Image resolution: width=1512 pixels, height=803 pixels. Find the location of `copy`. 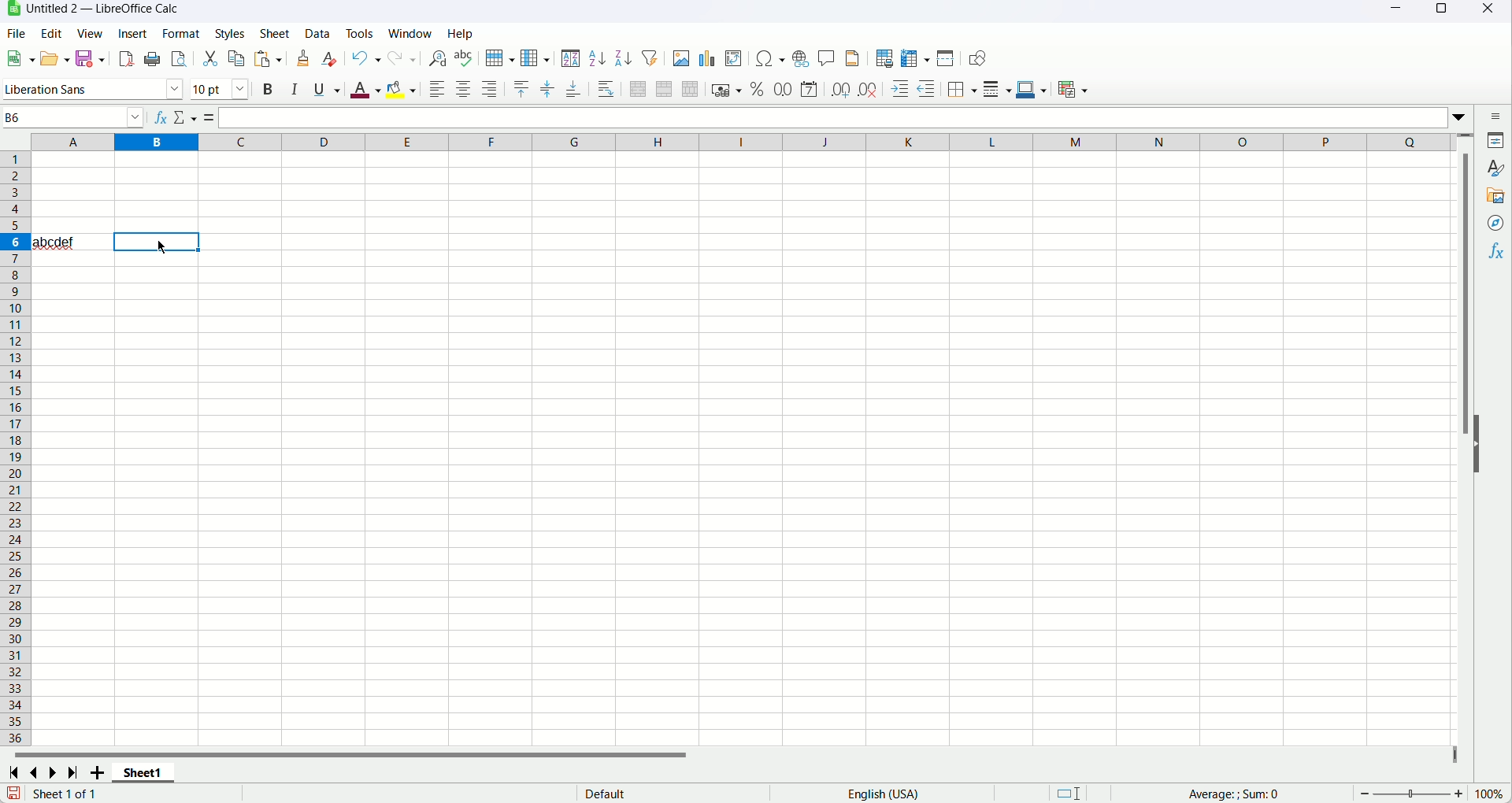

copy is located at coordinates (237, 58).